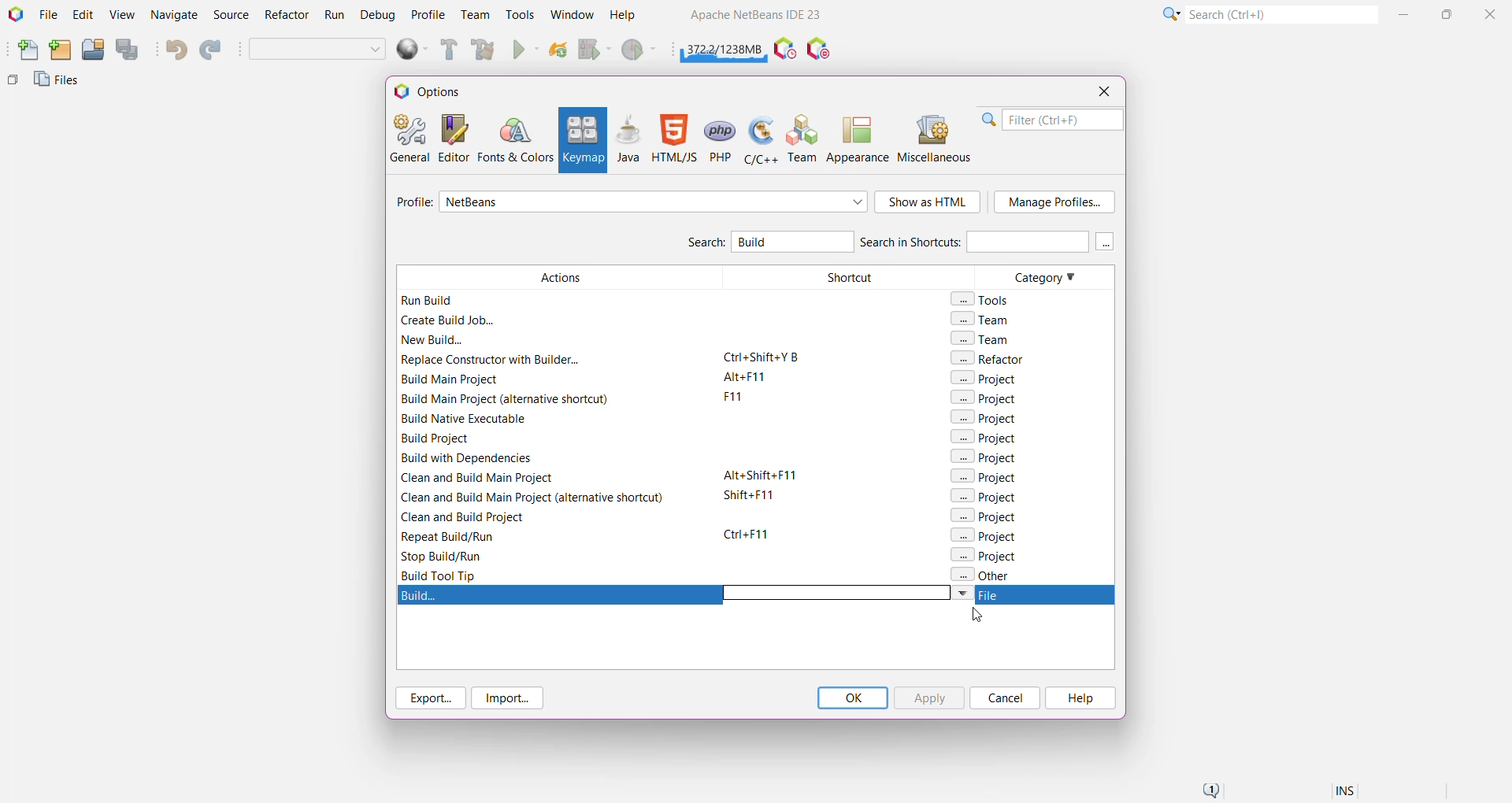 This screenshot has height=803, width=1512. What do you see at coordinates (1106, 424) in the screenshot?
I see `Vertical Scroll Bar` at bounding box center [1106, 424].